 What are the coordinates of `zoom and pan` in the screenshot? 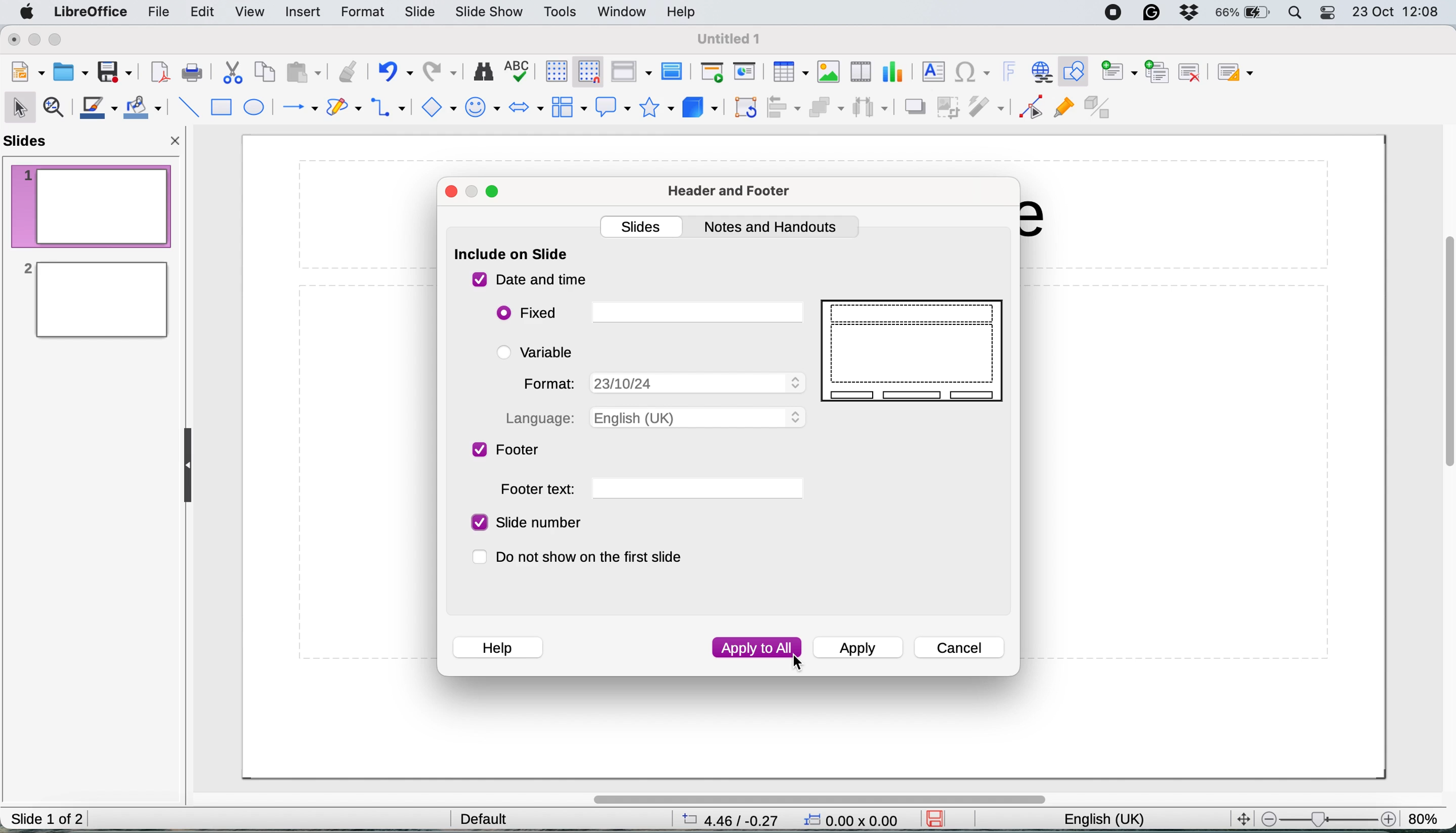 It's located at (56, 109).